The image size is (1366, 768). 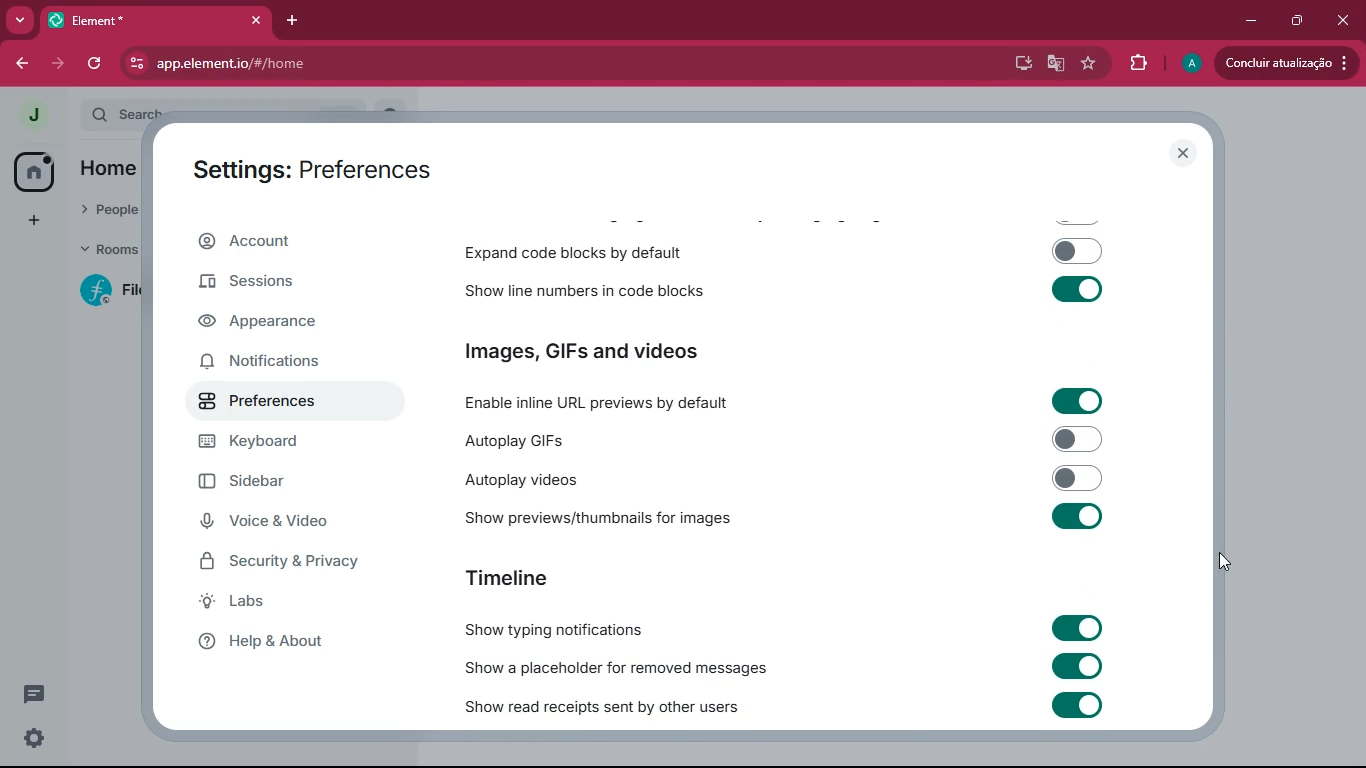 I want to click on more, so click(x=16, y=21).